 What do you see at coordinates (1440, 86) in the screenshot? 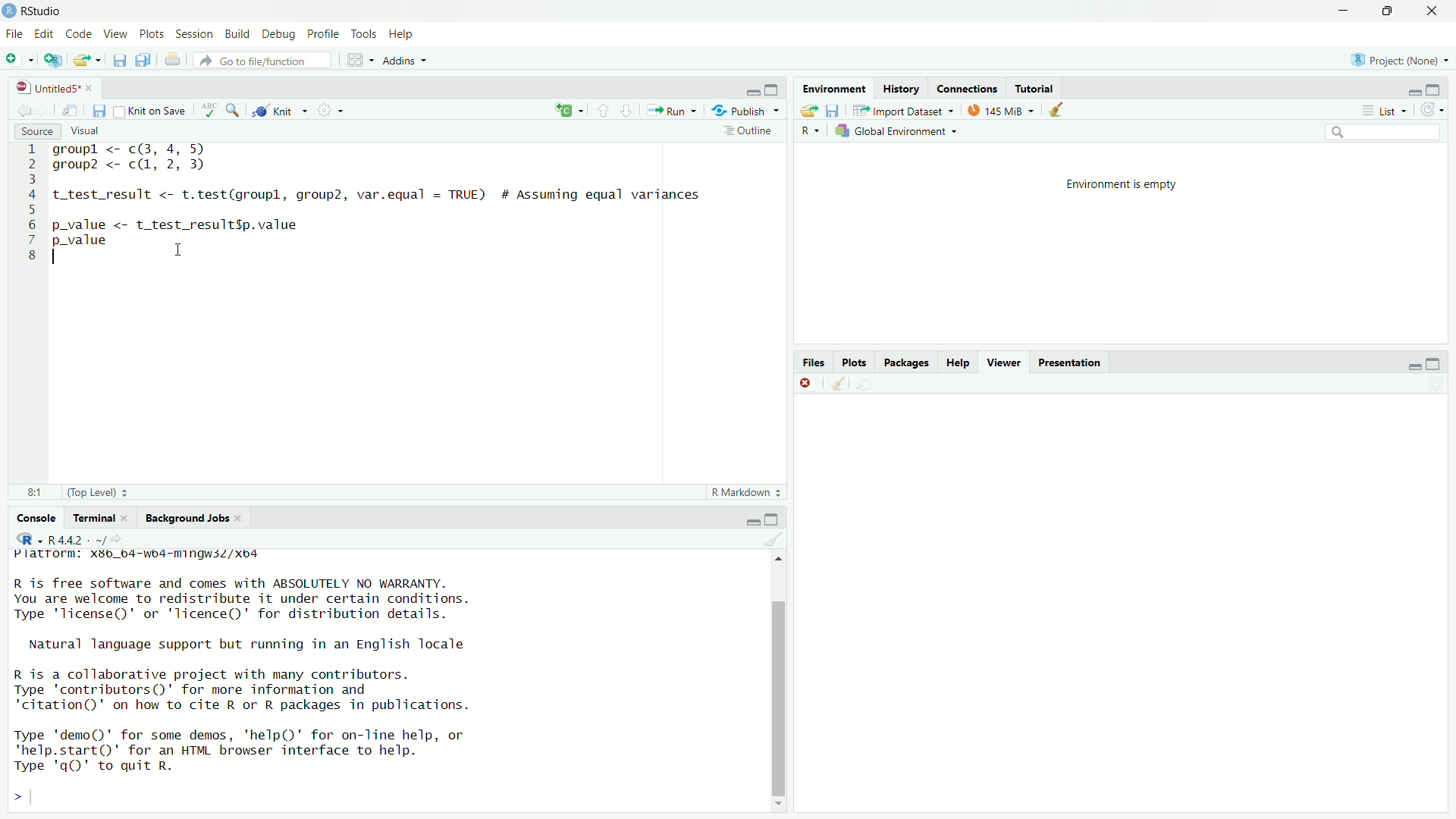
I see `maximise` at bounding box center [1440, 86].